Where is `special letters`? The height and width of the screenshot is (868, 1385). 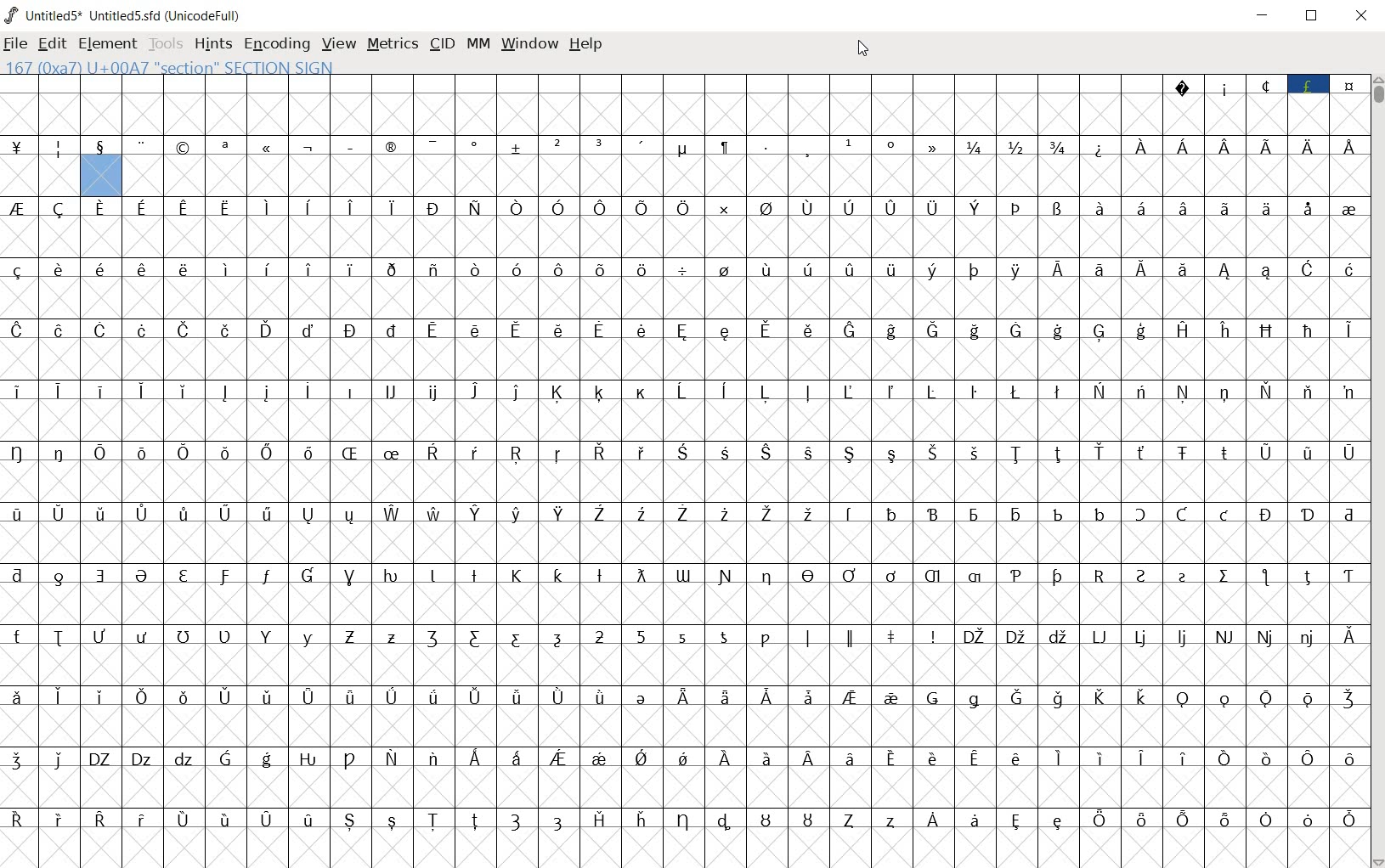
special letters is located at coordinates (683, 573).